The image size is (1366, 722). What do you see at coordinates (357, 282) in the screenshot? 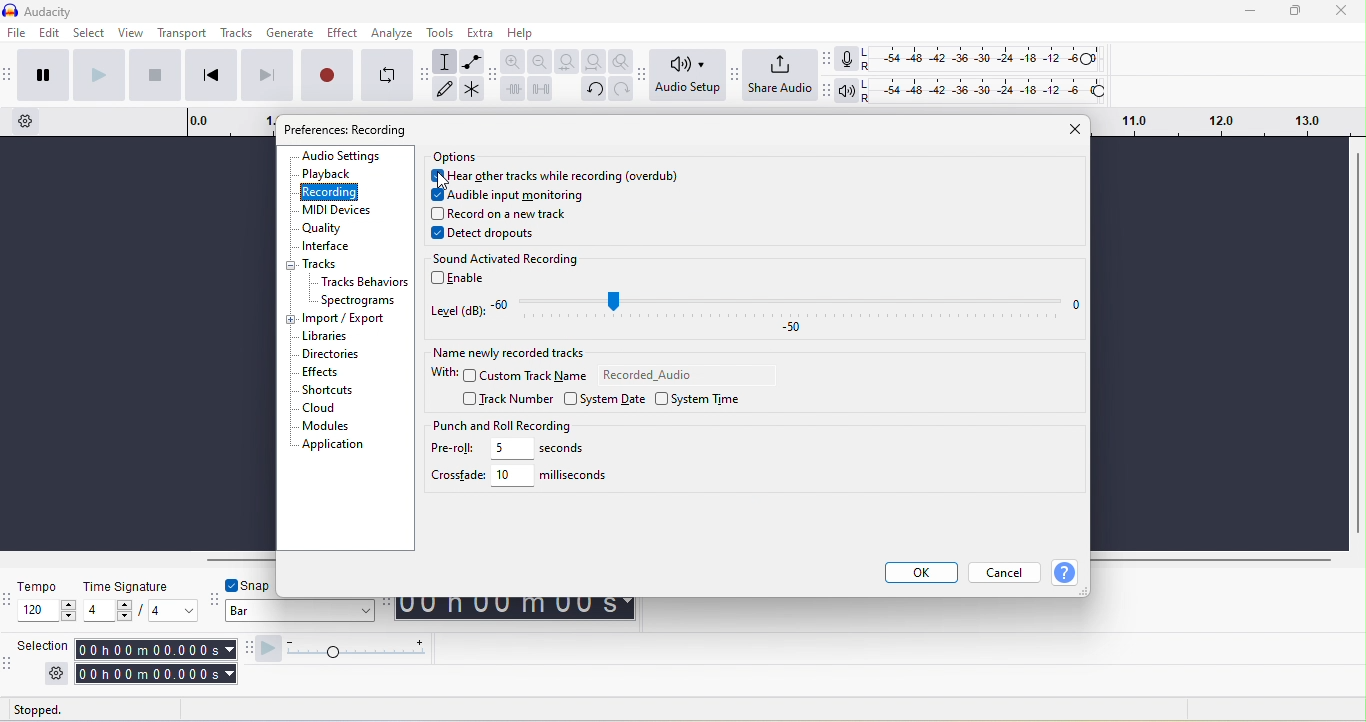
I see `tracks behaviors` at bounding box center [357, 282].